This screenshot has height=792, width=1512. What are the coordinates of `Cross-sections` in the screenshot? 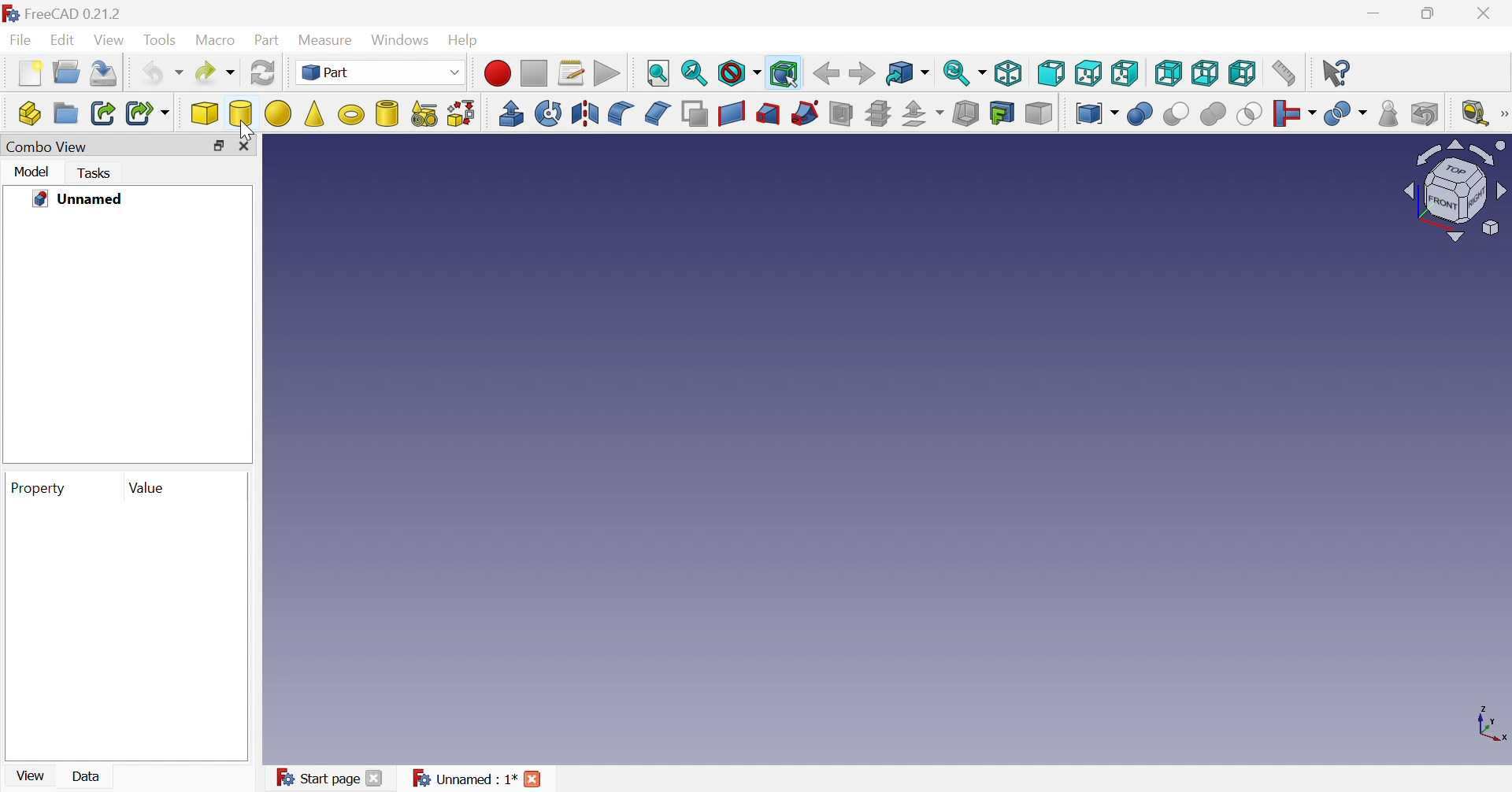 It's located at (877, 116).